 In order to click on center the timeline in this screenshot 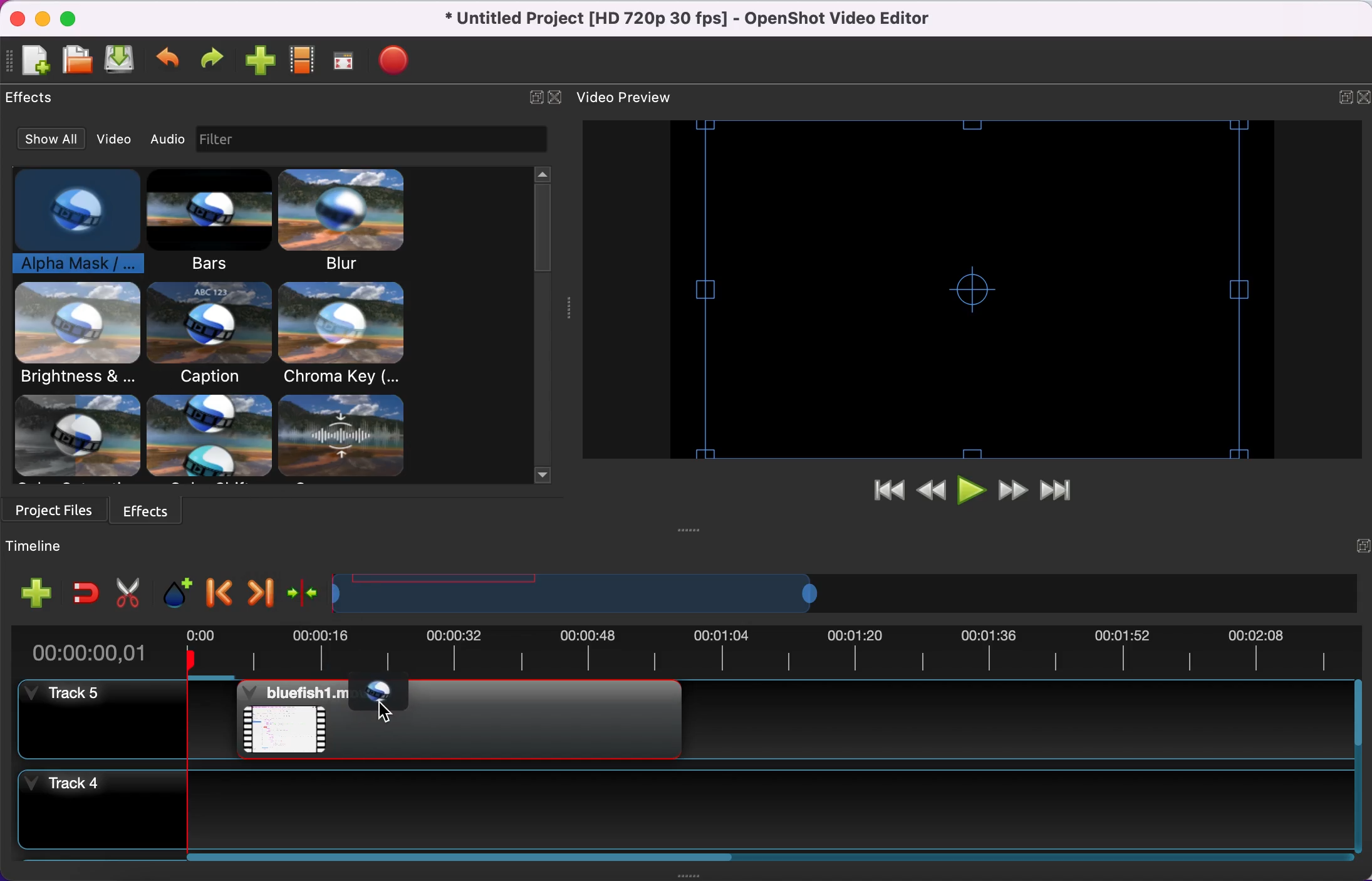, I will do `click(301, 592)`.